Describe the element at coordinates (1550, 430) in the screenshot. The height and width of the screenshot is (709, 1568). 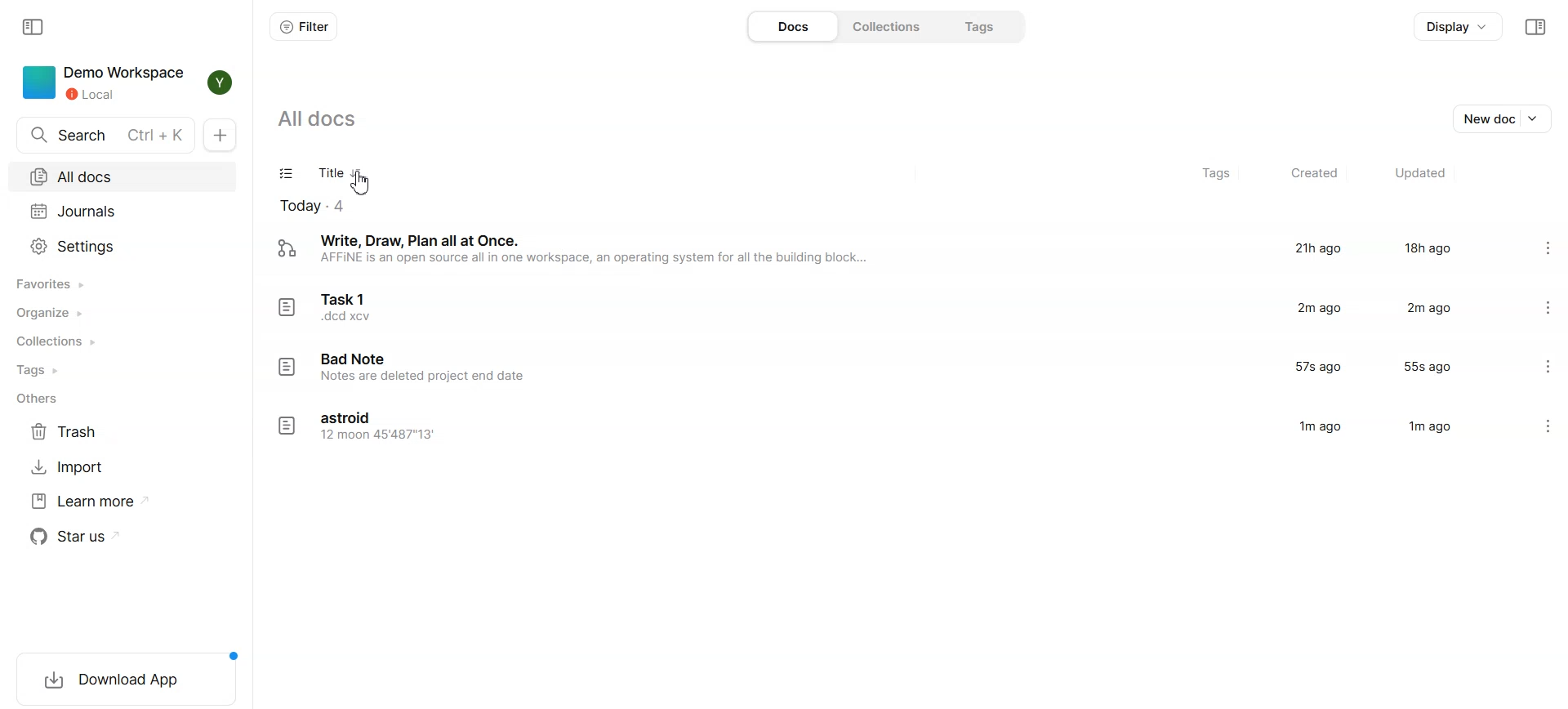
I see `Settings` at that location.